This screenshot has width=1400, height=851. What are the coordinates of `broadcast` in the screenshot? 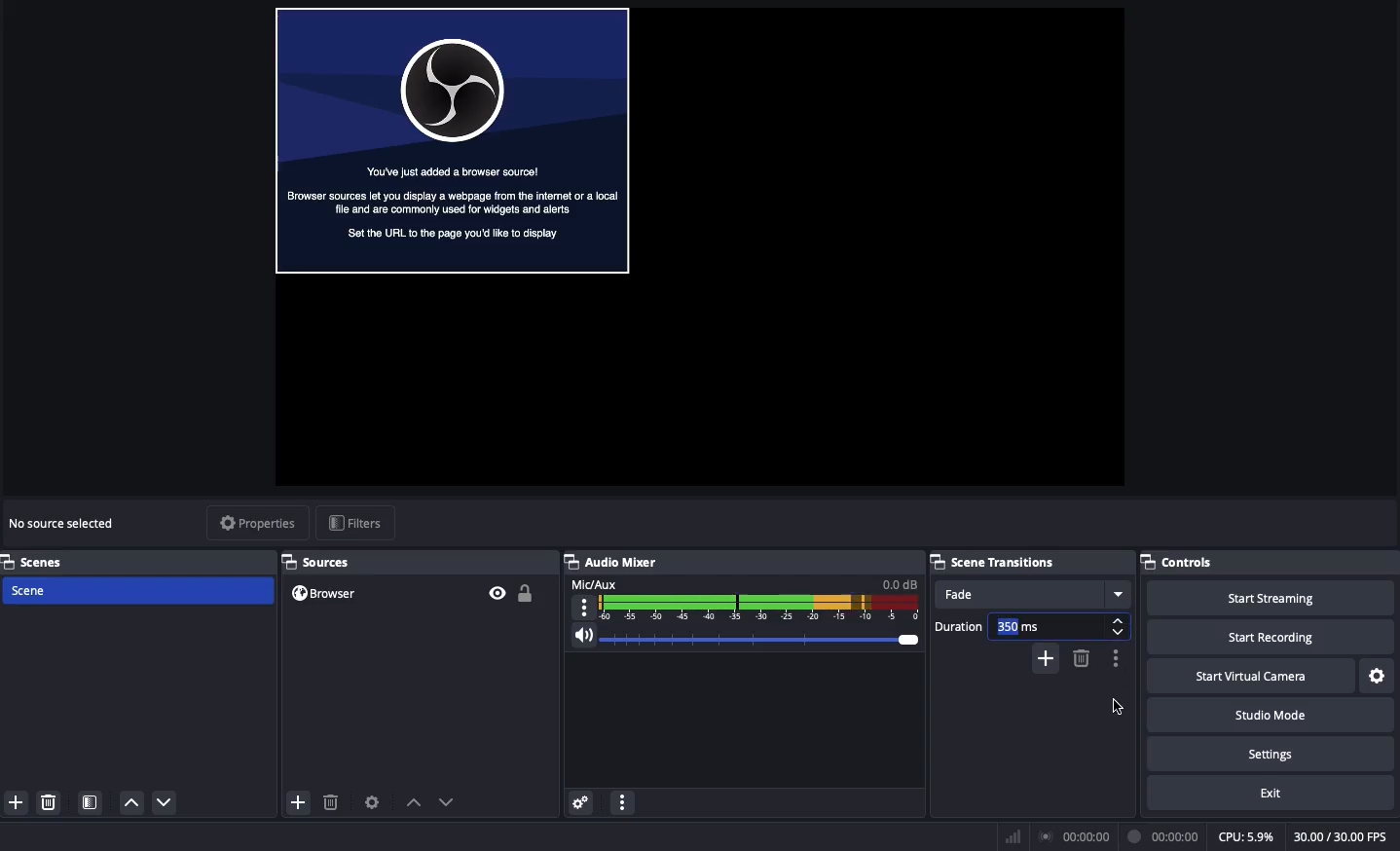 It's located at (1075, 833).